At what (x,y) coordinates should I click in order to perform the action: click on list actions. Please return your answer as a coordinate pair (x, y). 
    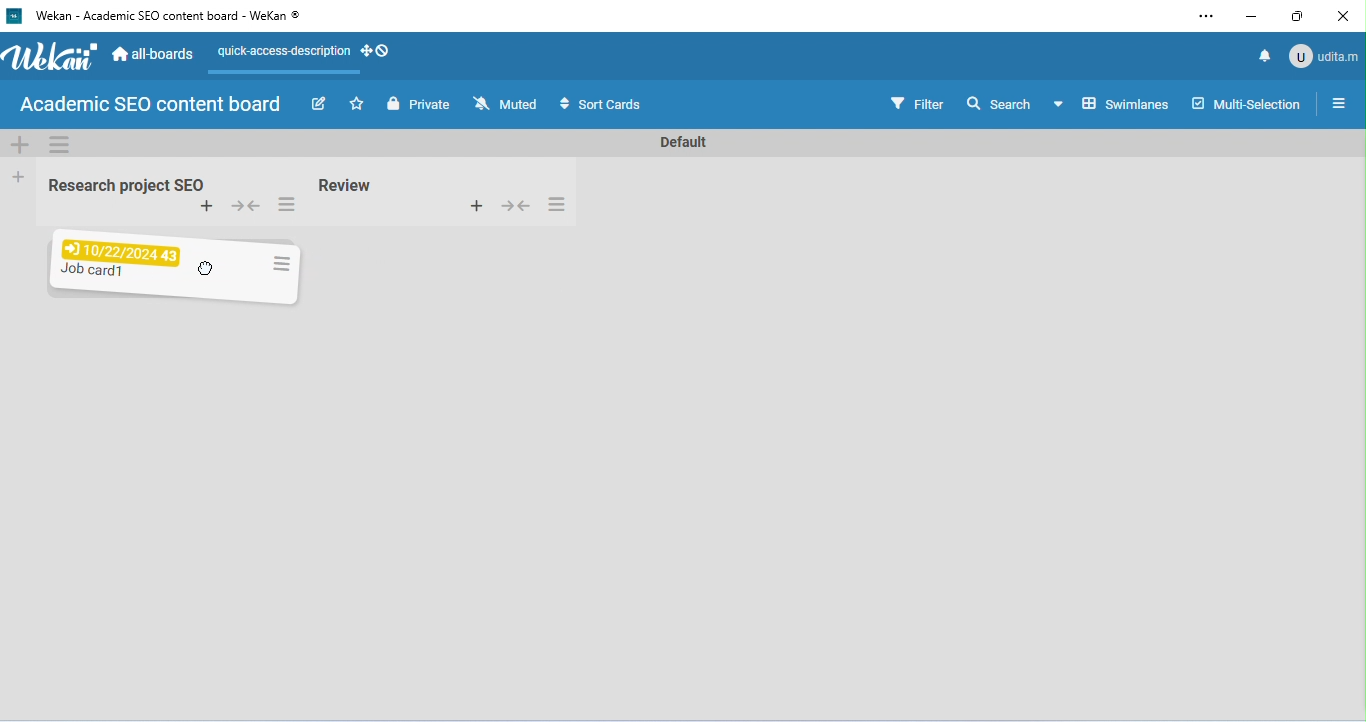
    Looking at the image, I should click on (285, 206).